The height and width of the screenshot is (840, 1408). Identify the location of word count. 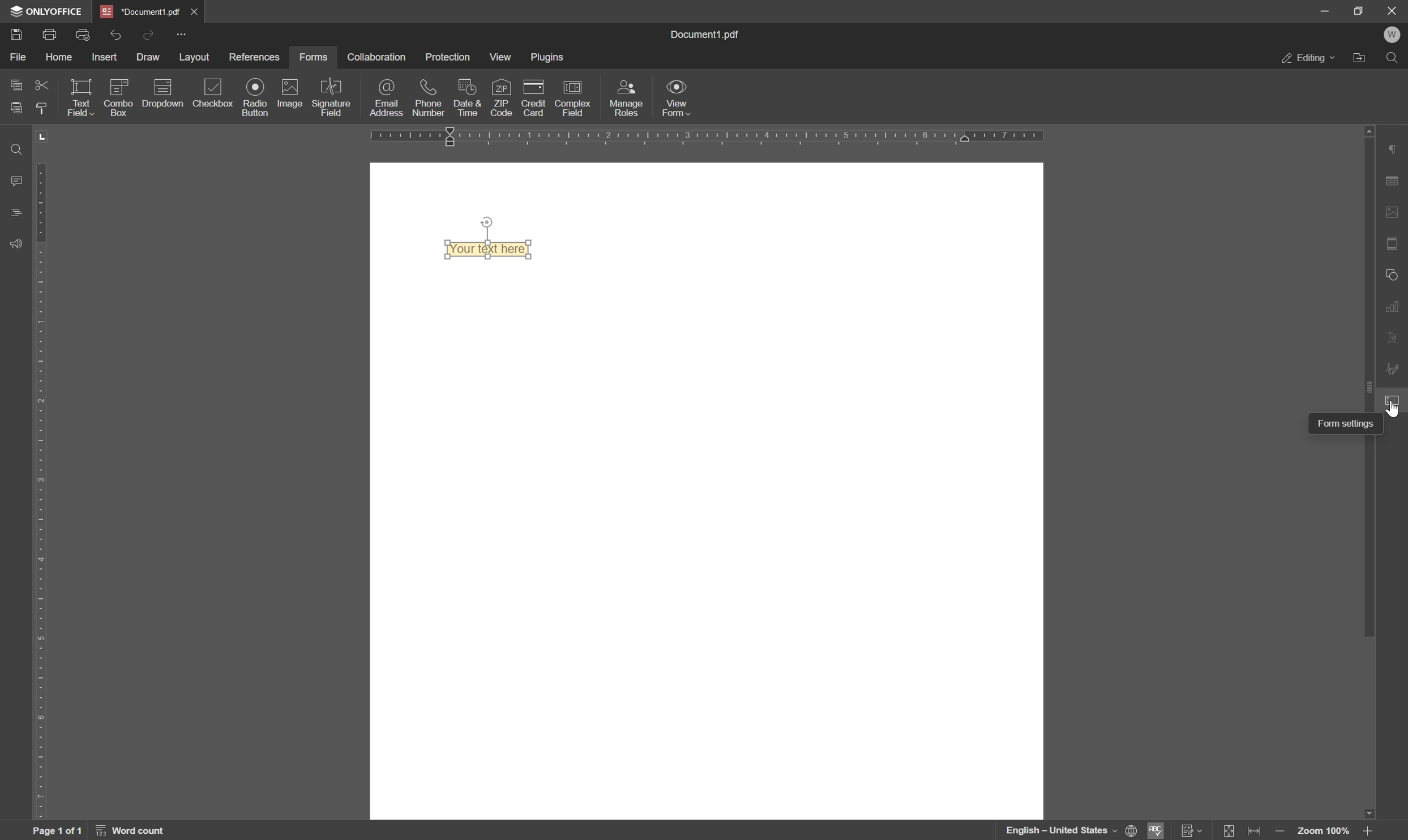
(131, 831).